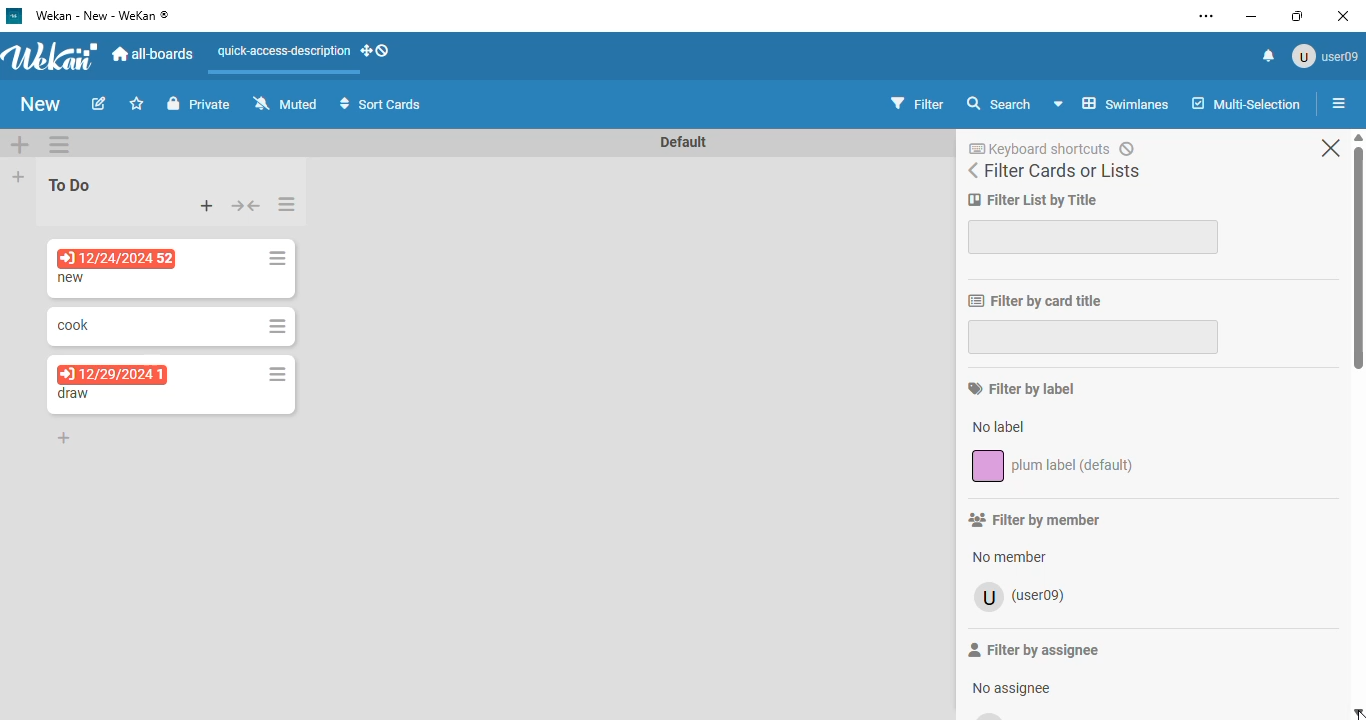 The width and height of the screenshot is (1366, 720). What do you see at coordinates (277, 327) in the screenshot?
I see `card actions` at bounding box center [277, 327].